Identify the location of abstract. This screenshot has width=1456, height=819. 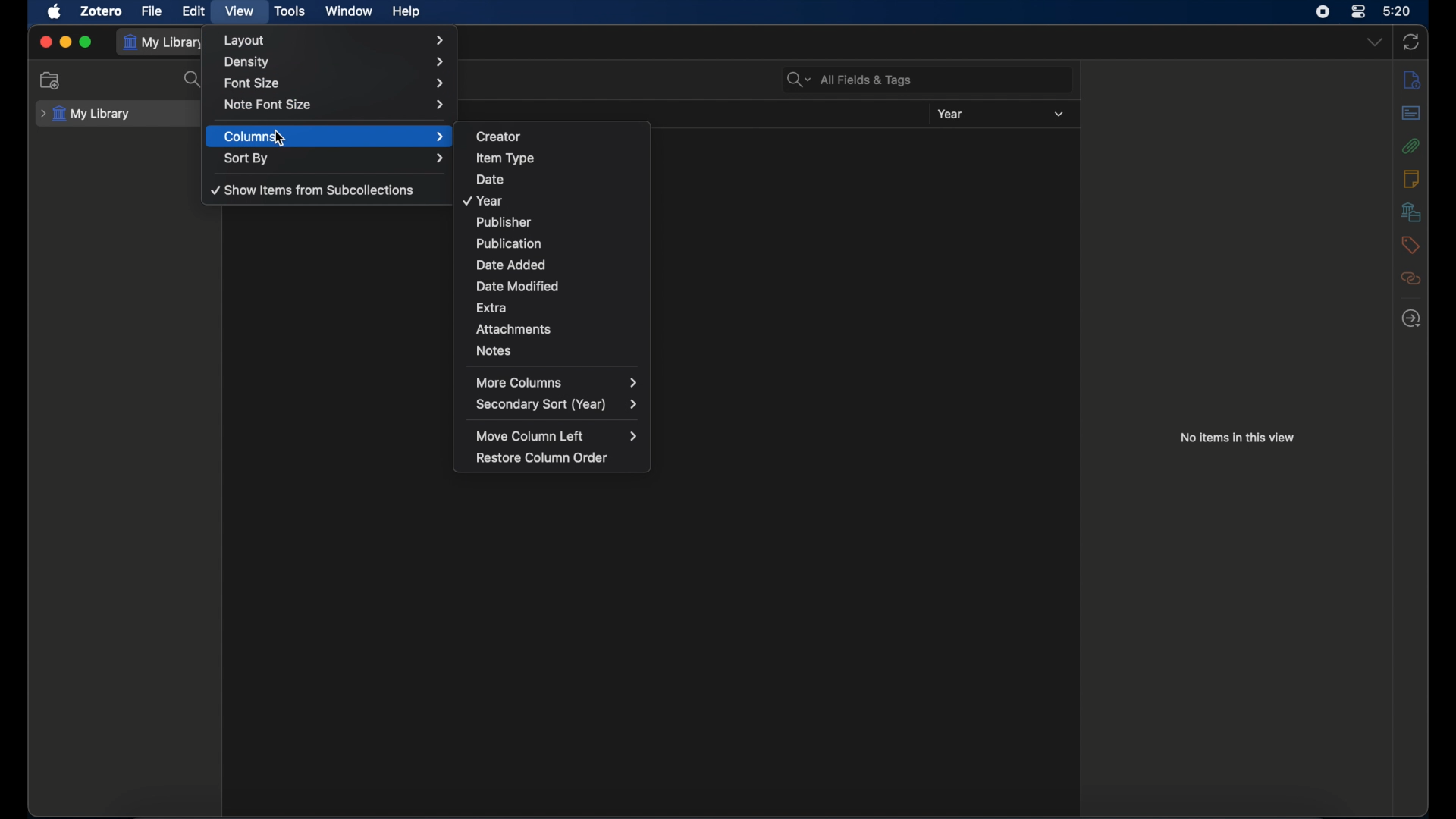
(1411, 112).